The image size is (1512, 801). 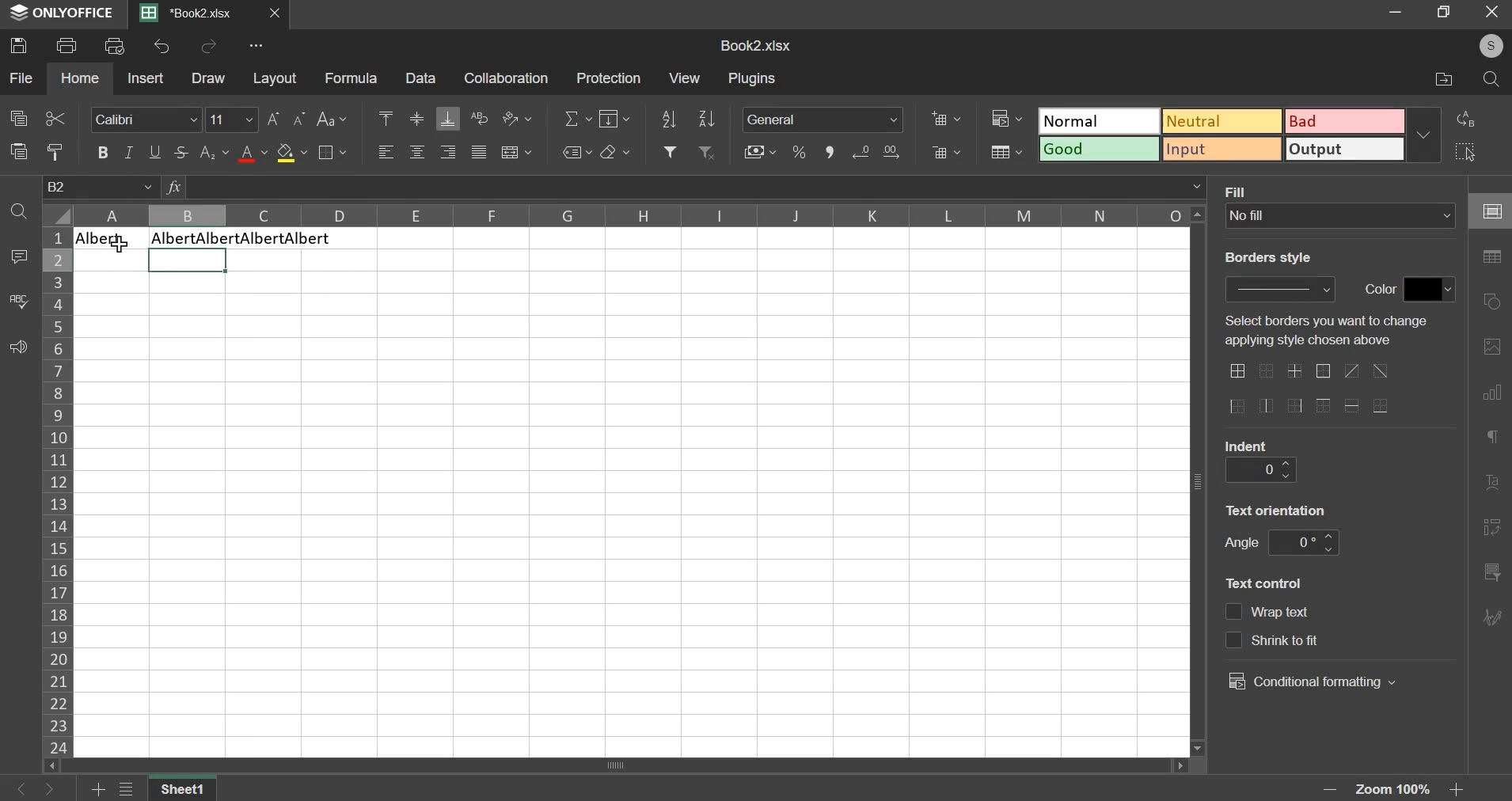 I want to click on image settings, so click(x=1495, y=344).